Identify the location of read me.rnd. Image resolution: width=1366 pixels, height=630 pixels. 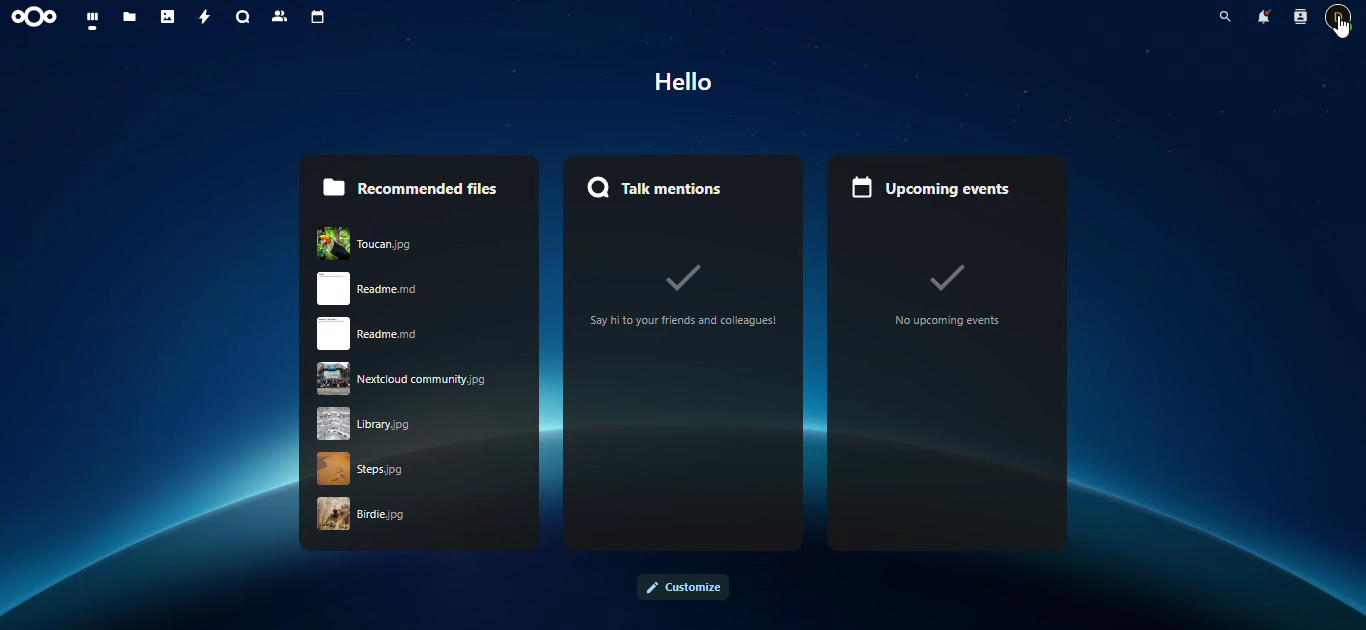
(403, 288).